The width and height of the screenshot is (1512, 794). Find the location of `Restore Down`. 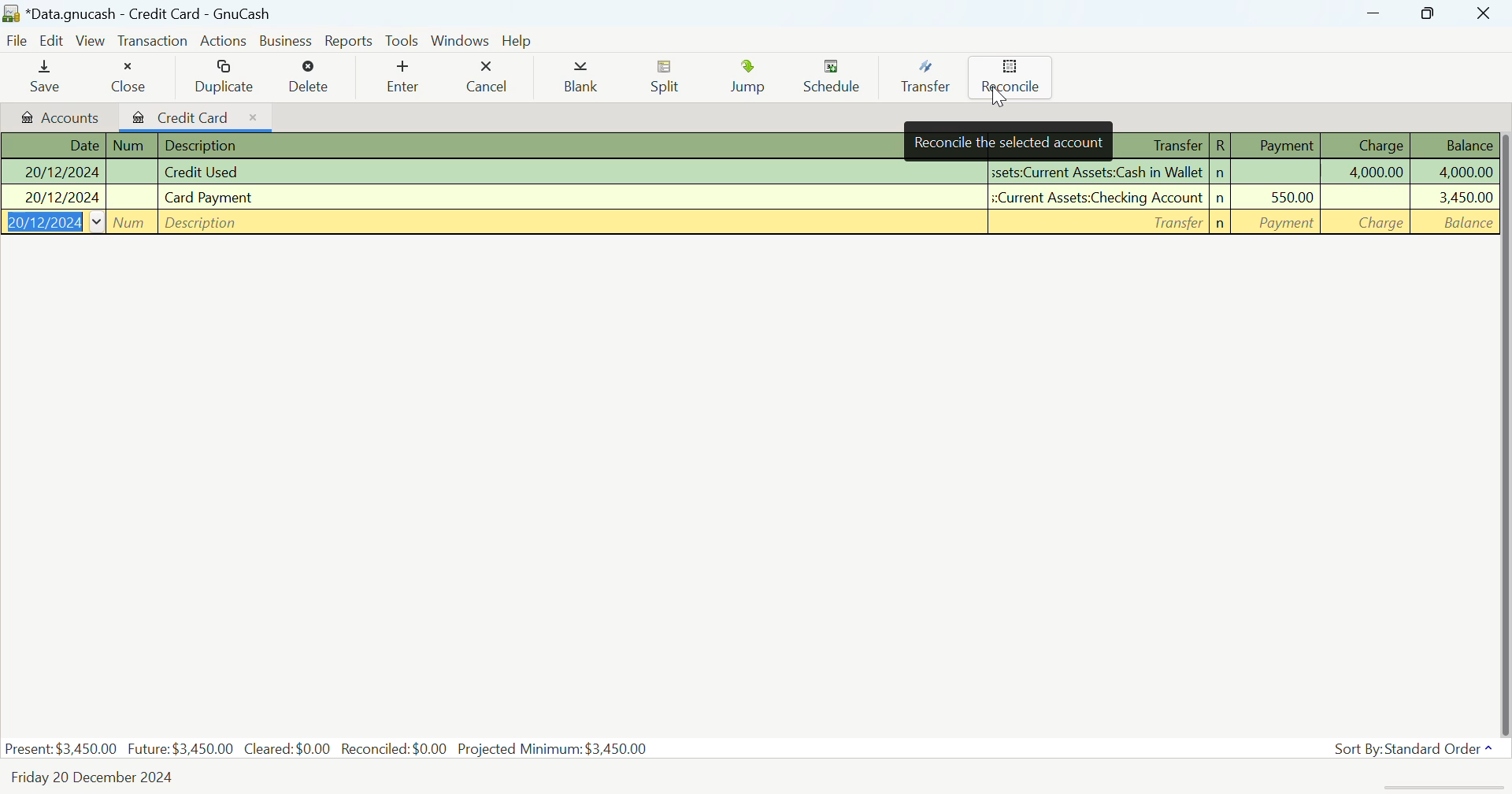

Restore Down is located at coordinates (1375, 13).